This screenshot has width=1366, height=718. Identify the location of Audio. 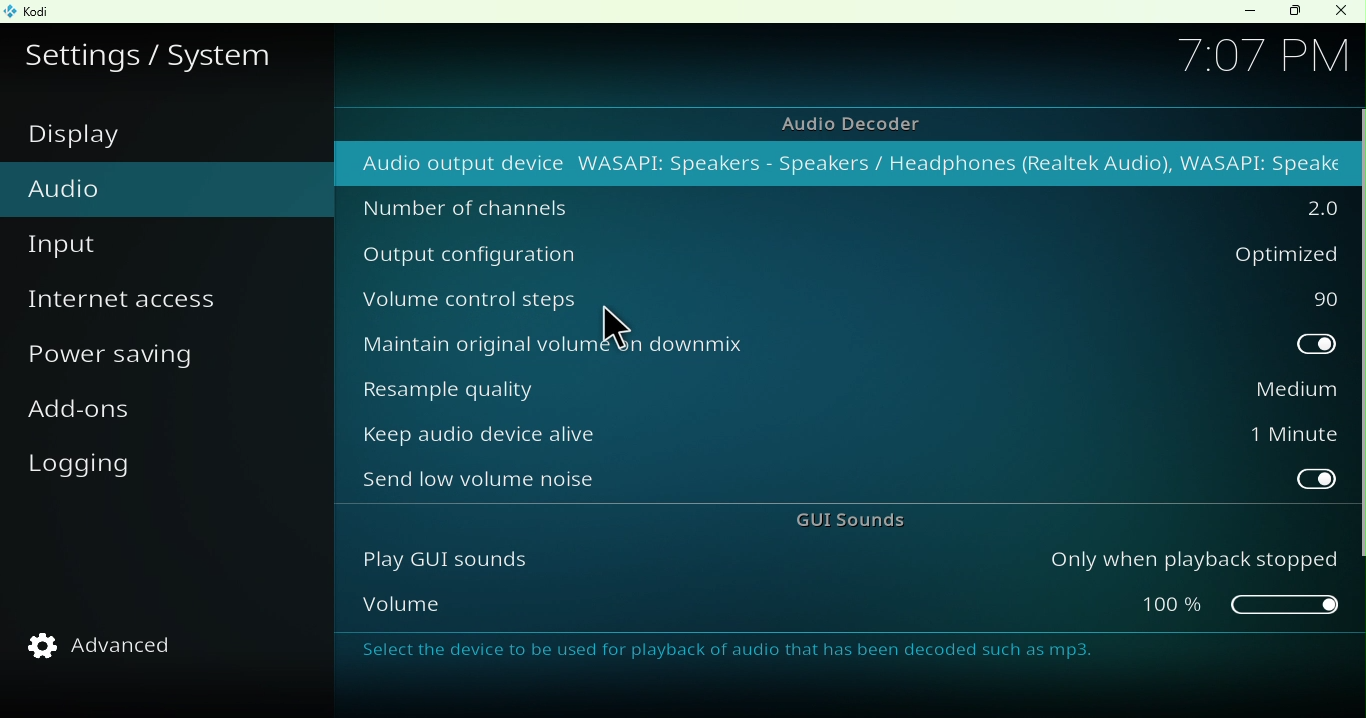
(115, 188).